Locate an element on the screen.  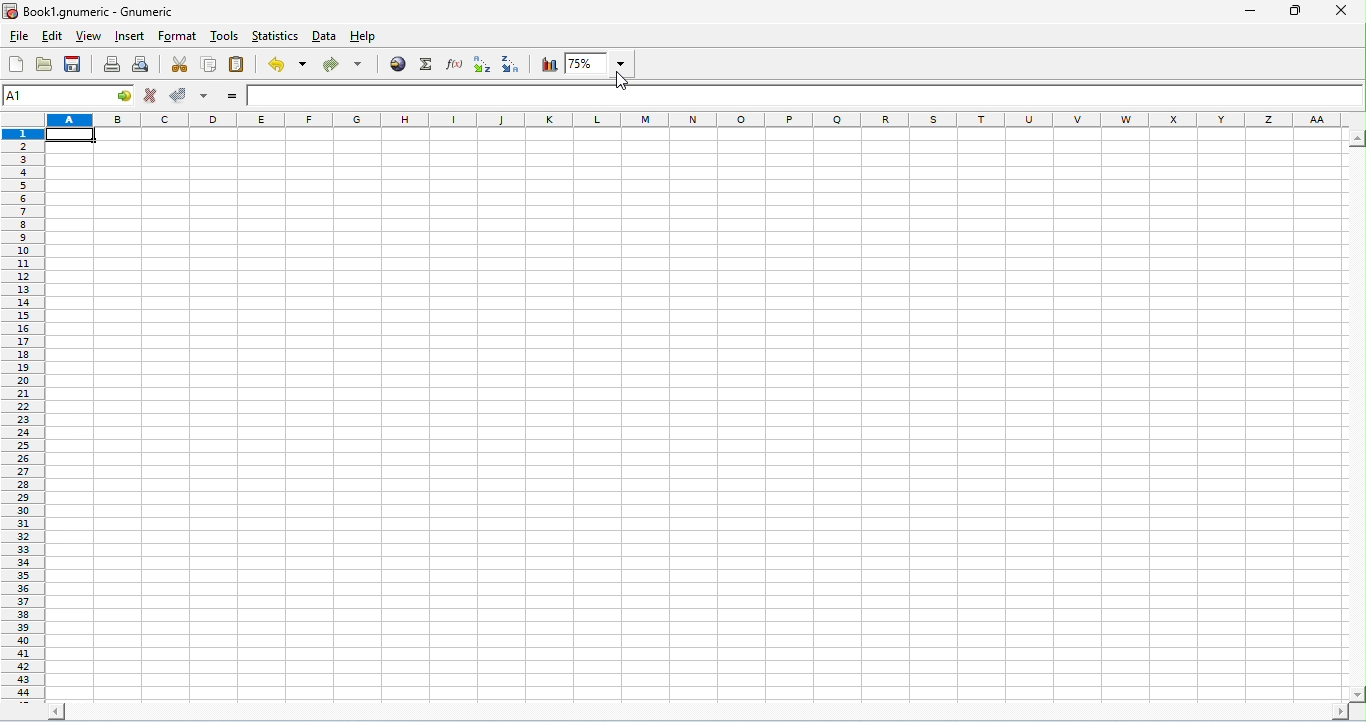
paste is located at coordinates (238, 65).